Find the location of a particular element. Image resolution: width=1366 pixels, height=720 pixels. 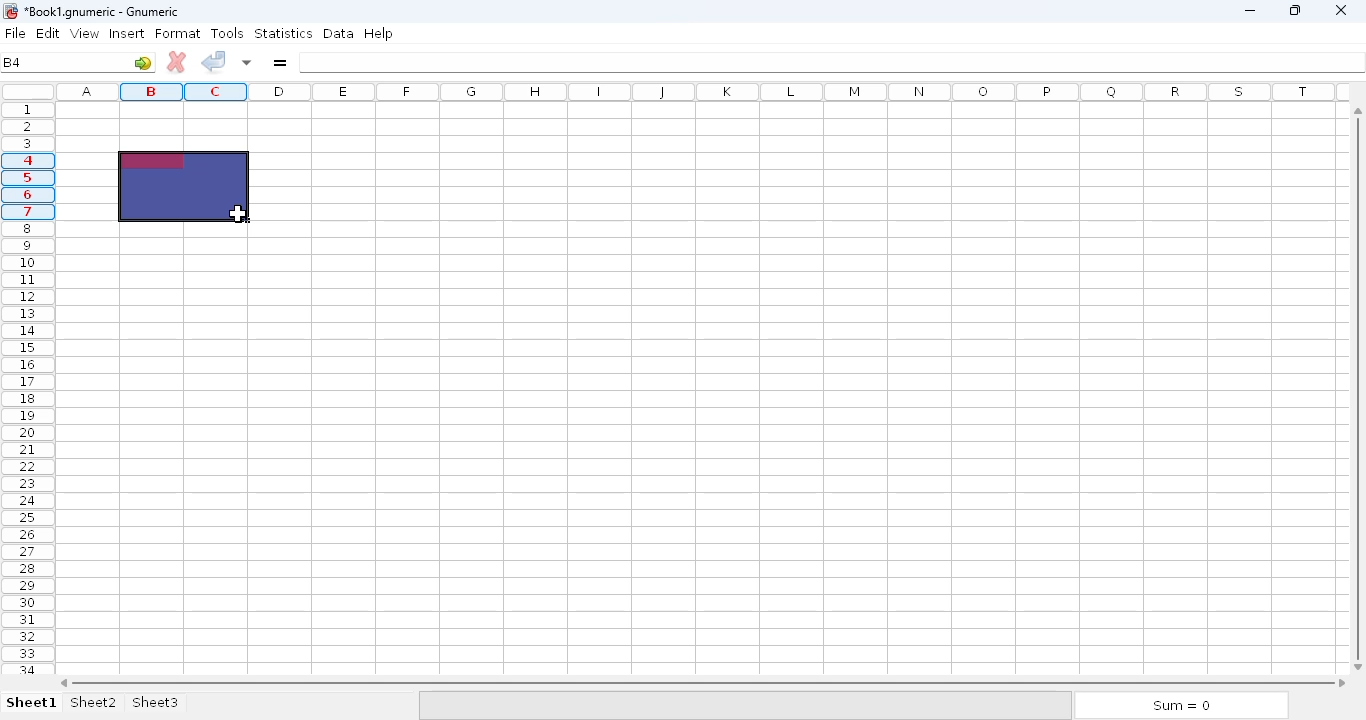

file is located at coordinates (15, 33).